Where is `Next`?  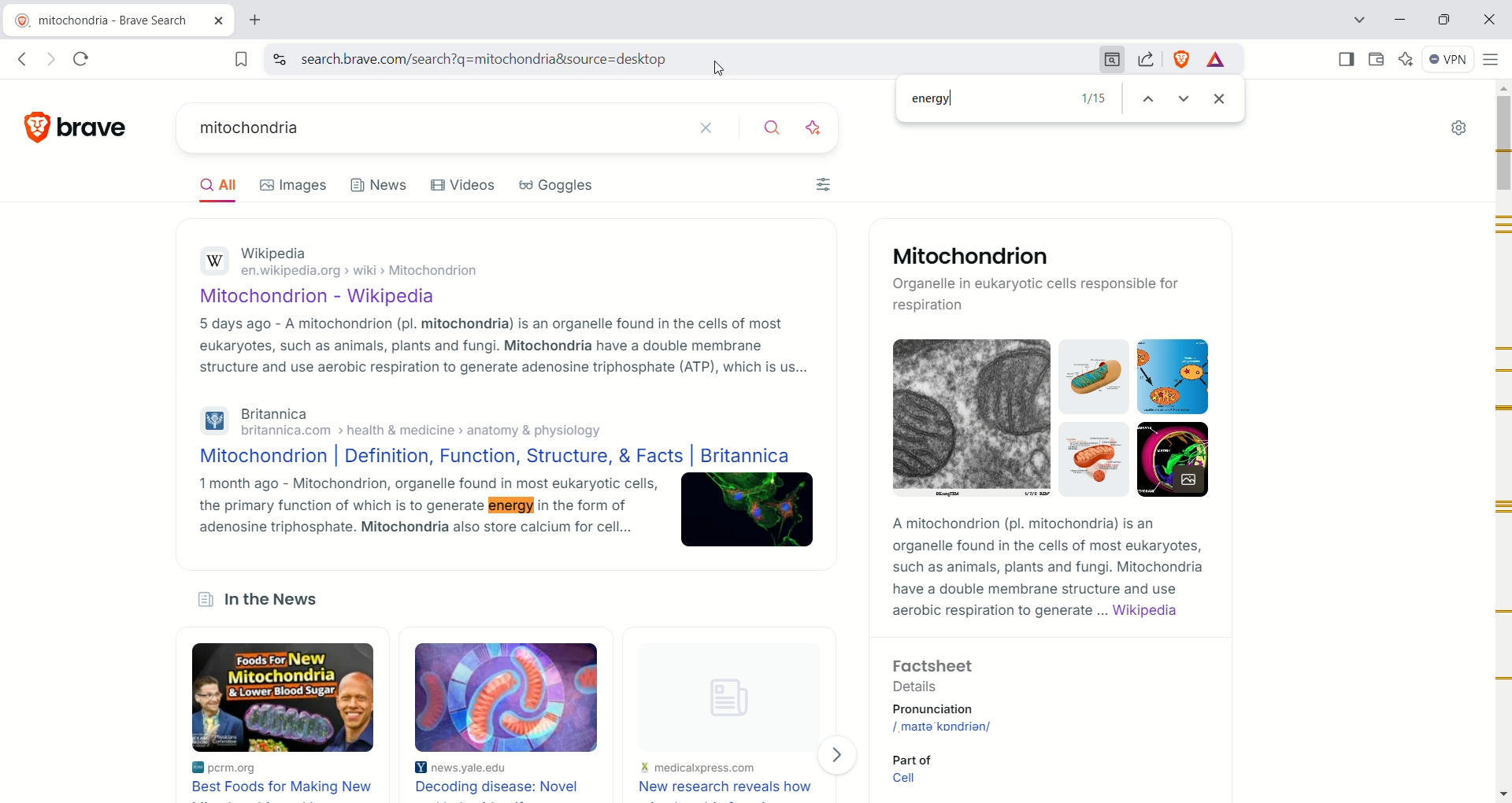
Next is located at coordinates (838, 757).